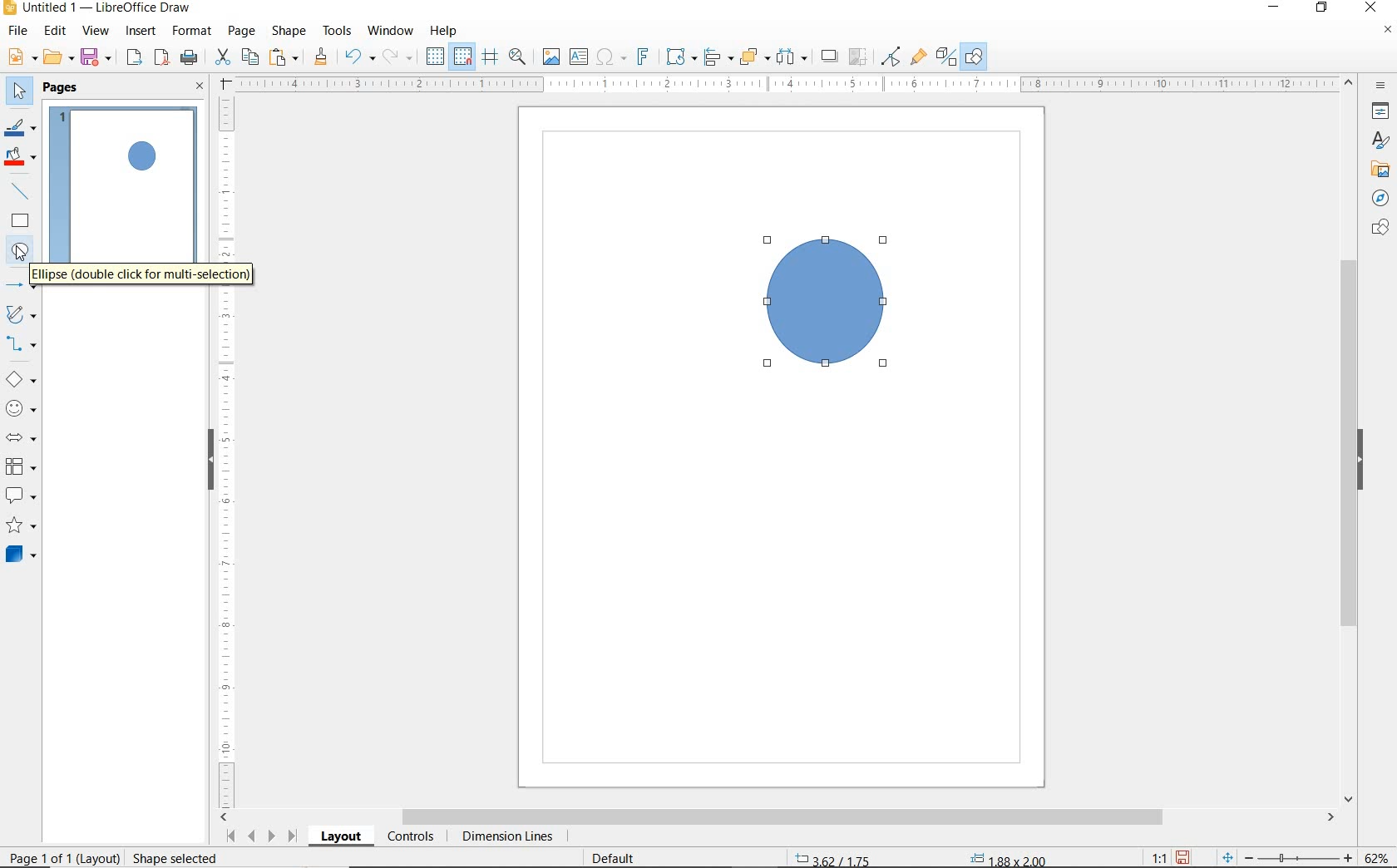 This screenshot has width=1397, height=868. Describe the element at coordinates (580, 57) in the screenshot. I see `INSERT TEXT BOX` at that location.